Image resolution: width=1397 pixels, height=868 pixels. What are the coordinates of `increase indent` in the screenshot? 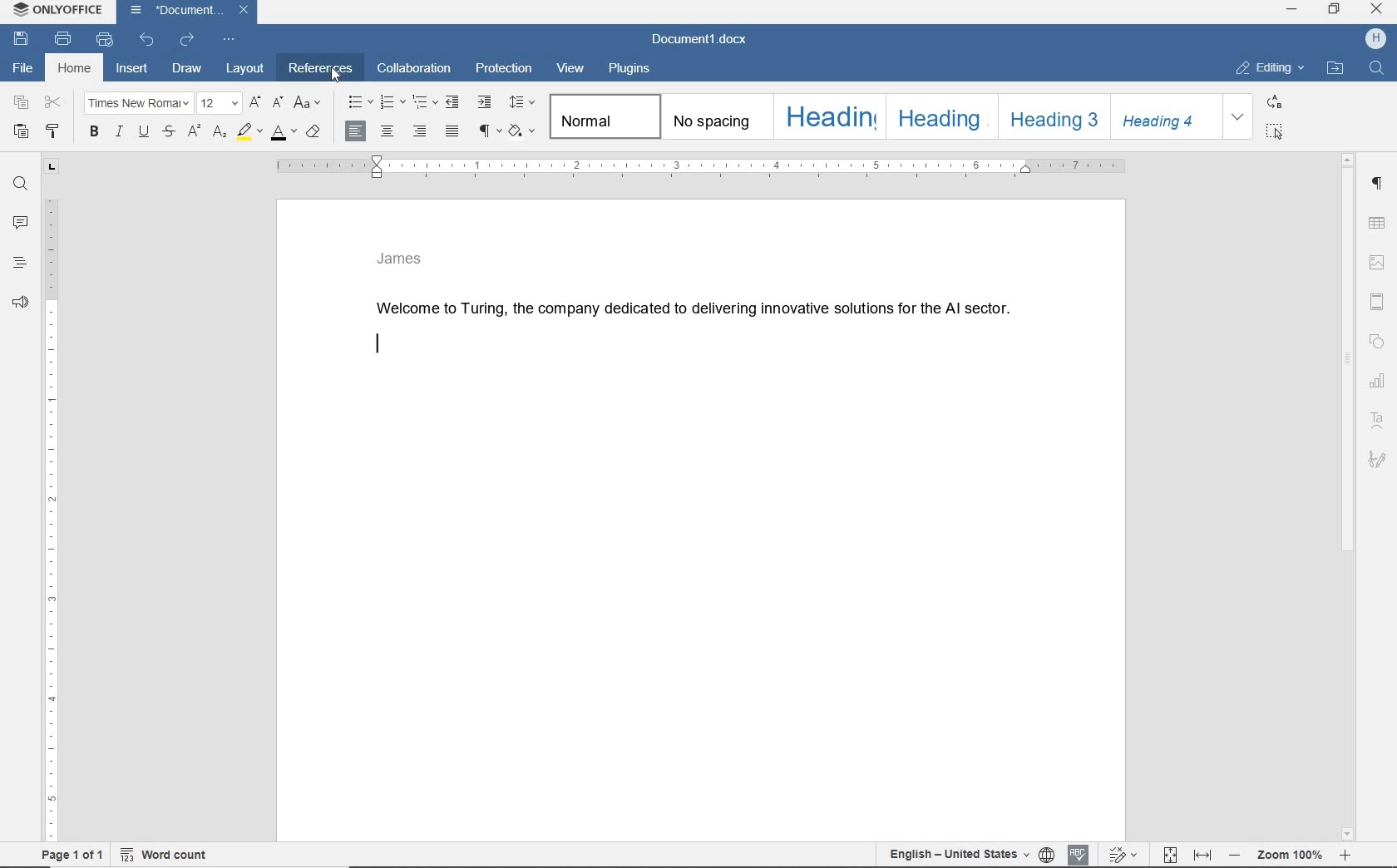 It's located at (485, 102).